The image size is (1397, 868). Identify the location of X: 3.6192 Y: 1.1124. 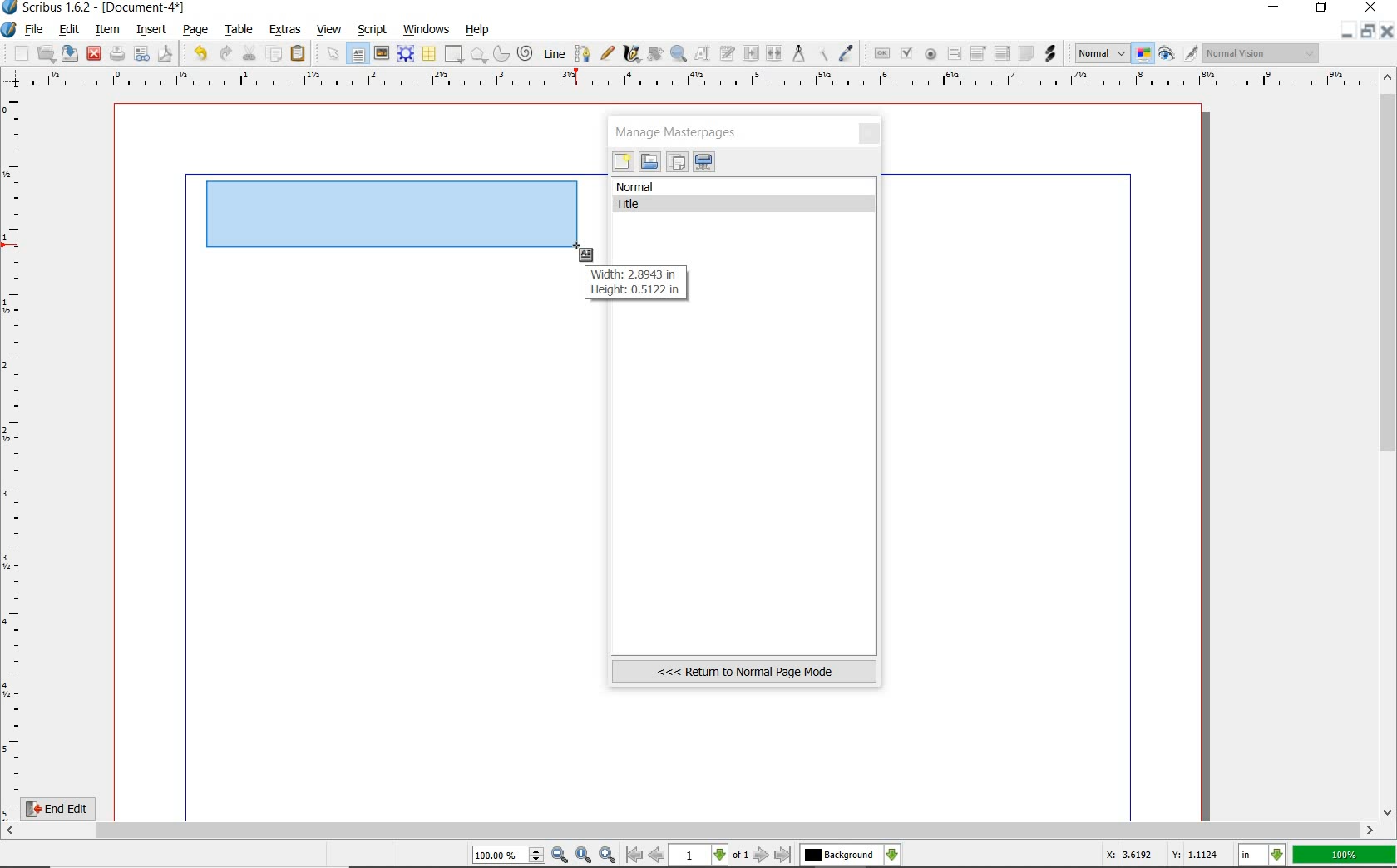
(1162, 857).